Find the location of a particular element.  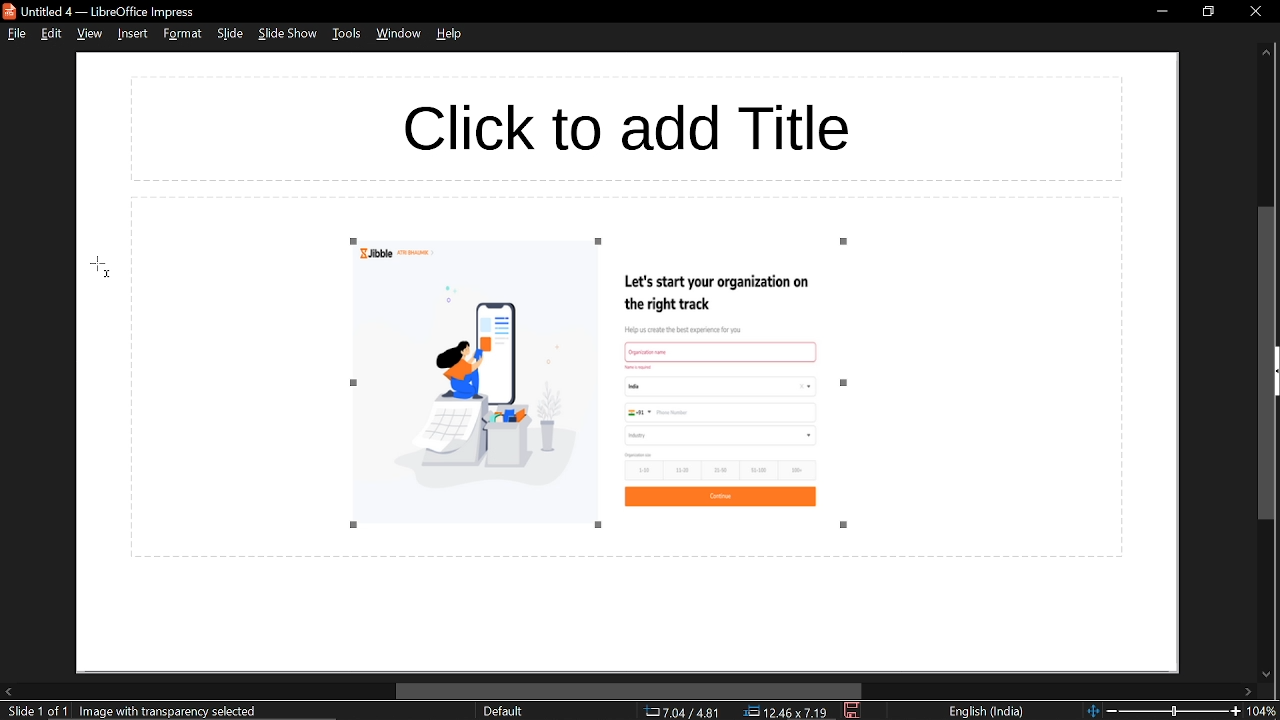

save is located at coordinates (852, 711).